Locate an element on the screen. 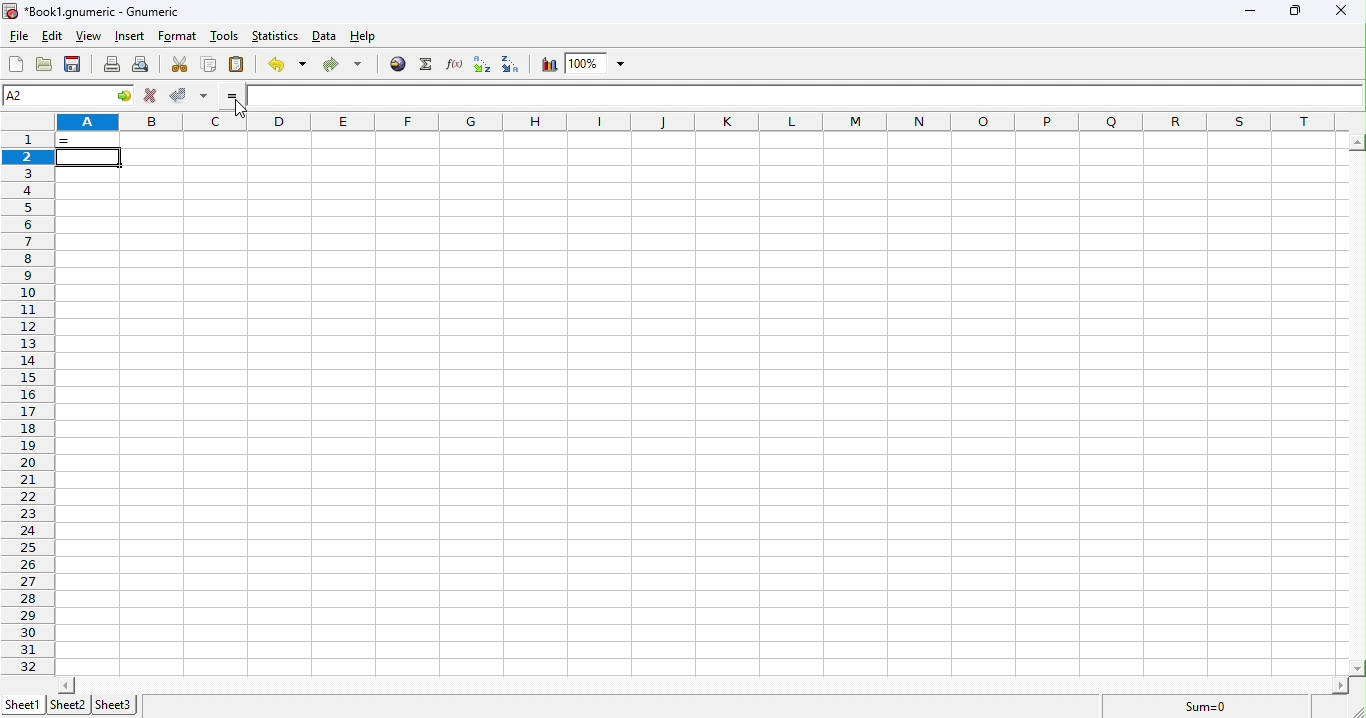 This screenshot has width=1366, height=718. Cells is located at coordinates (693, 405).